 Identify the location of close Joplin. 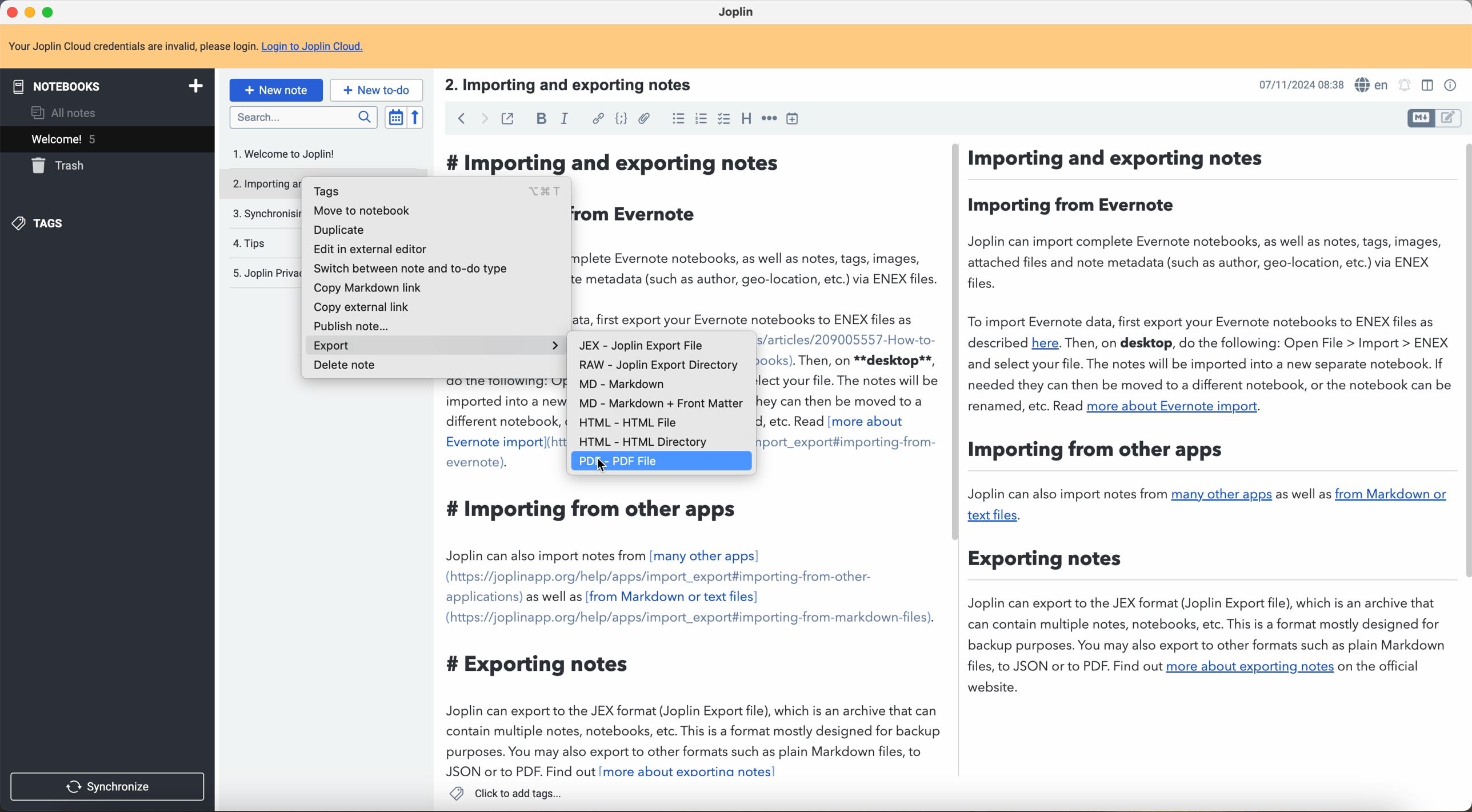
(11, 13).